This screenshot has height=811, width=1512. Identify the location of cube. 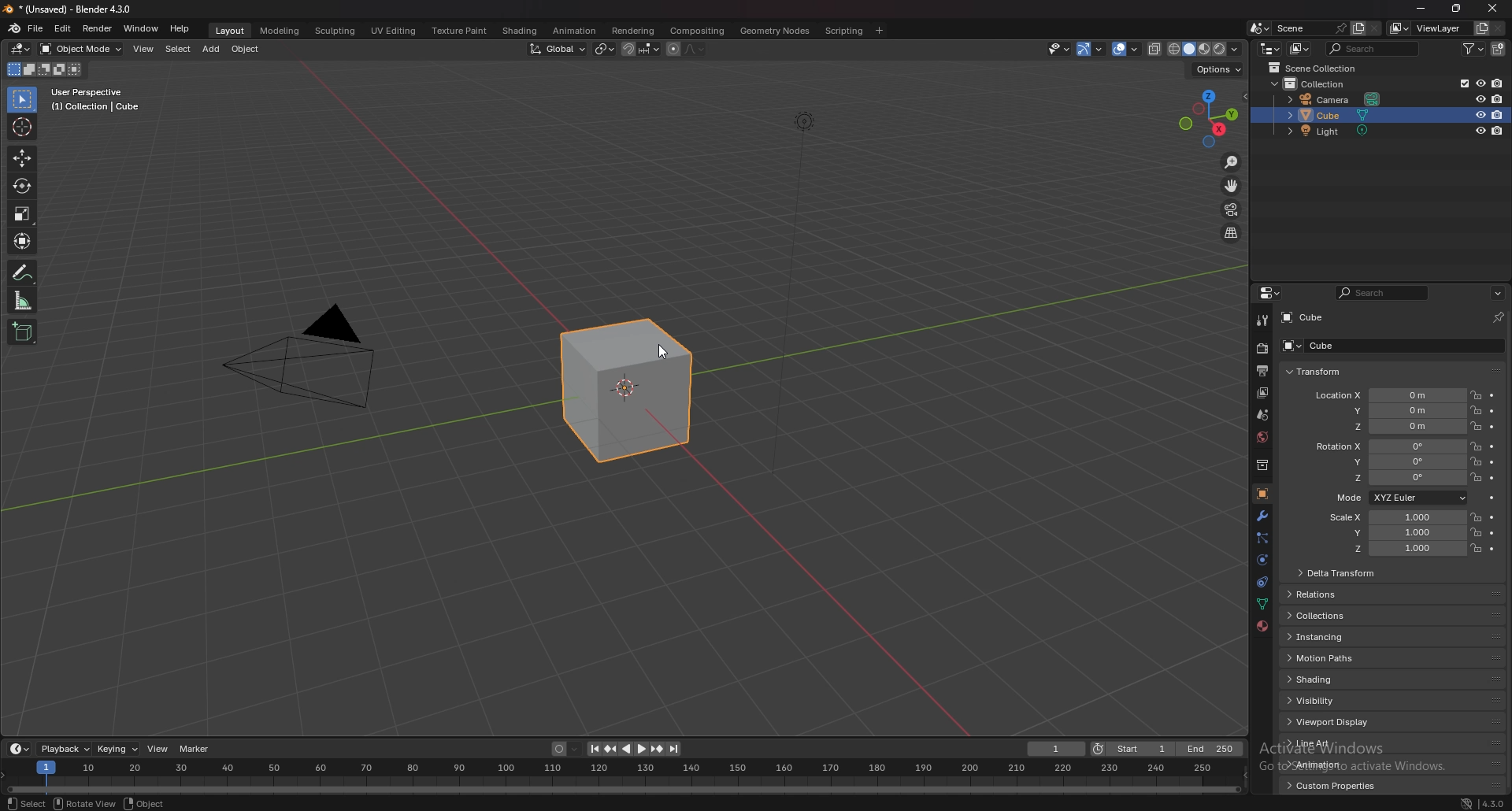
(628, 392).